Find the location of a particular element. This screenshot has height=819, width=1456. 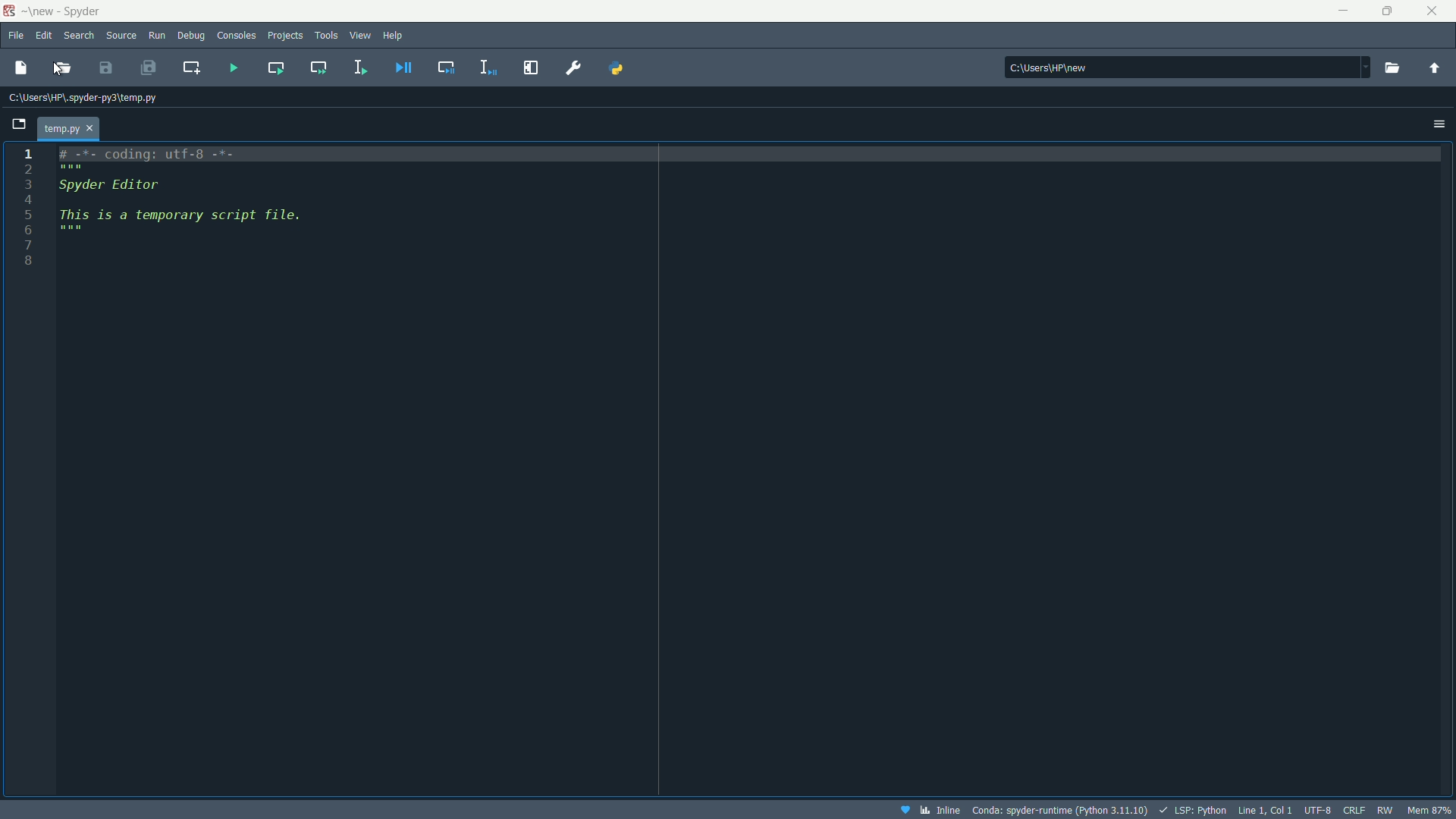

Edit menu is located at coordinates (45, 36).